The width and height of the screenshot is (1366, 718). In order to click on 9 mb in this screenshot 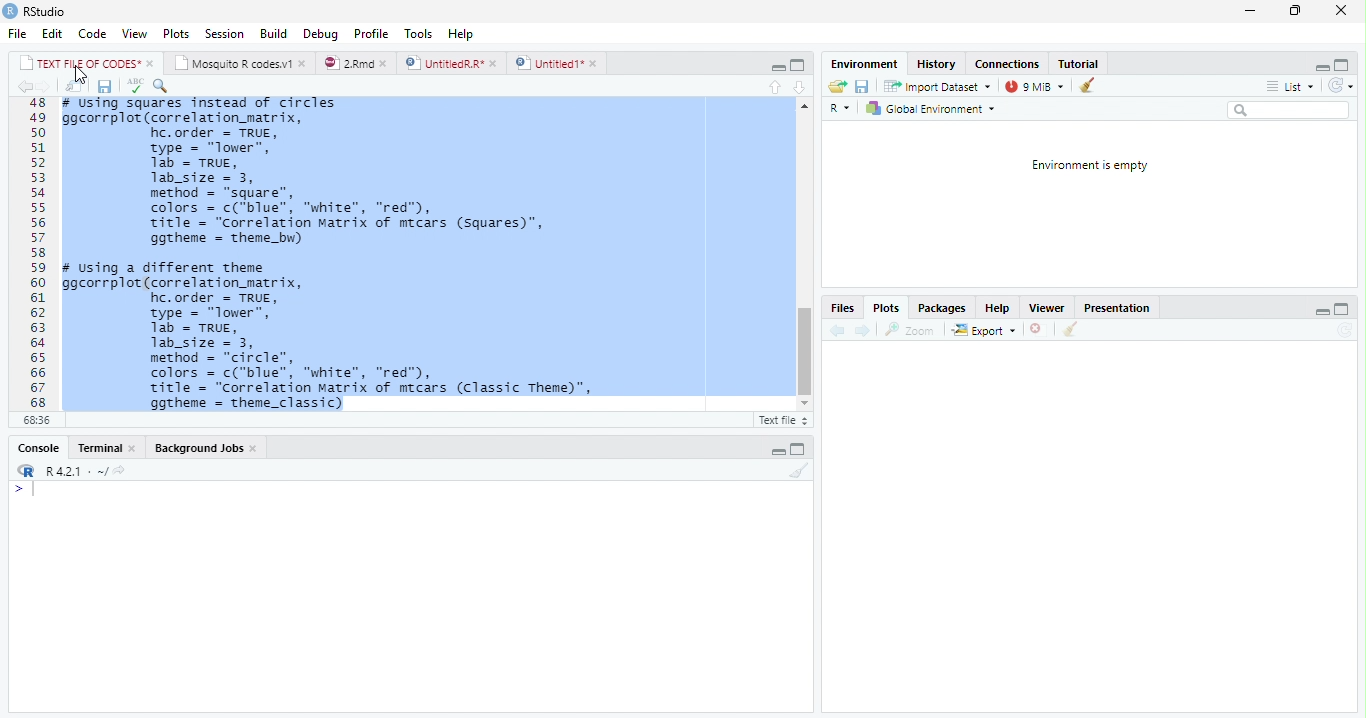, I will do `click(1036, 87)`.